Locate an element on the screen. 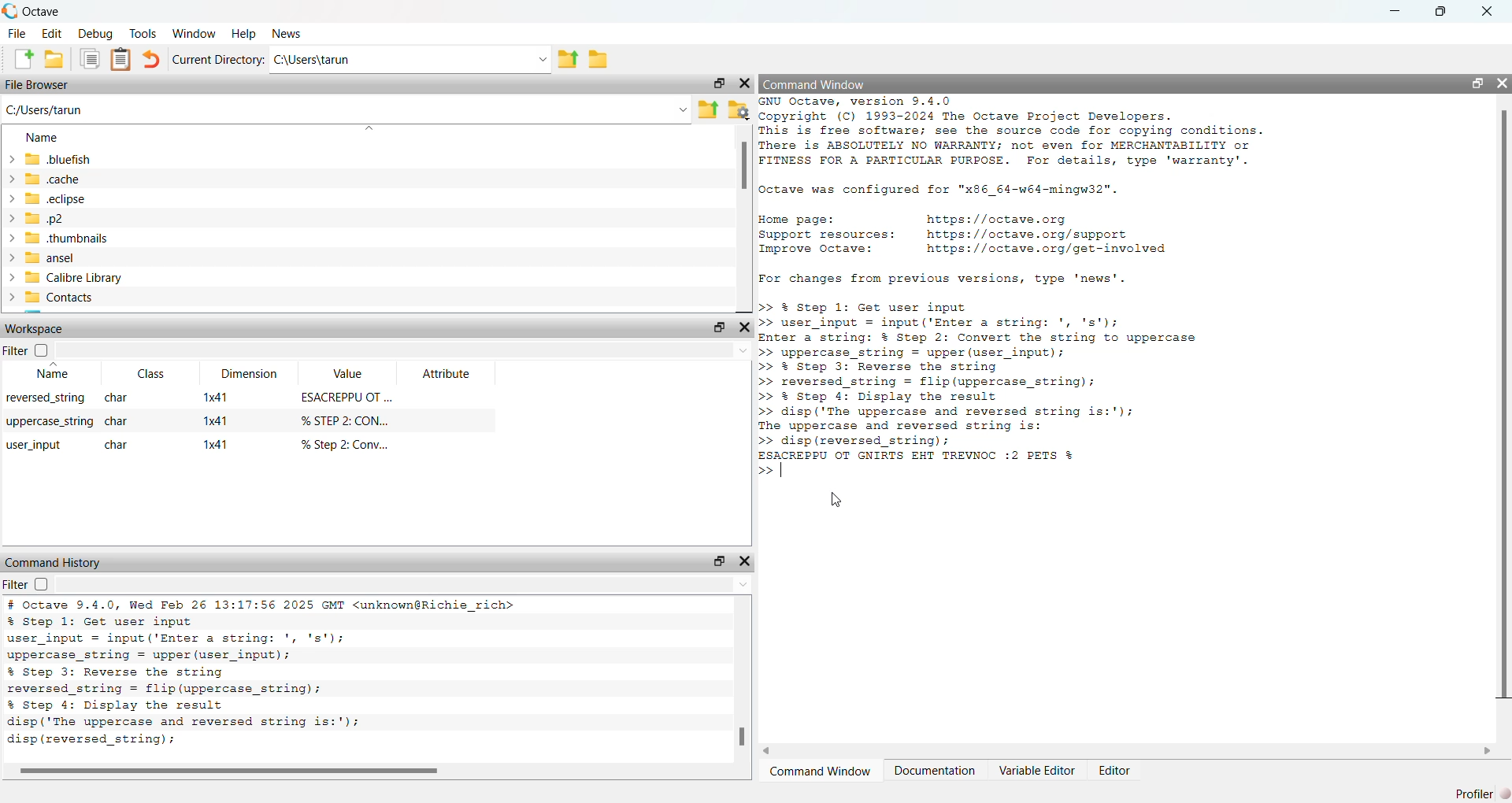  scrollbar is located at coordinates (226, 772).